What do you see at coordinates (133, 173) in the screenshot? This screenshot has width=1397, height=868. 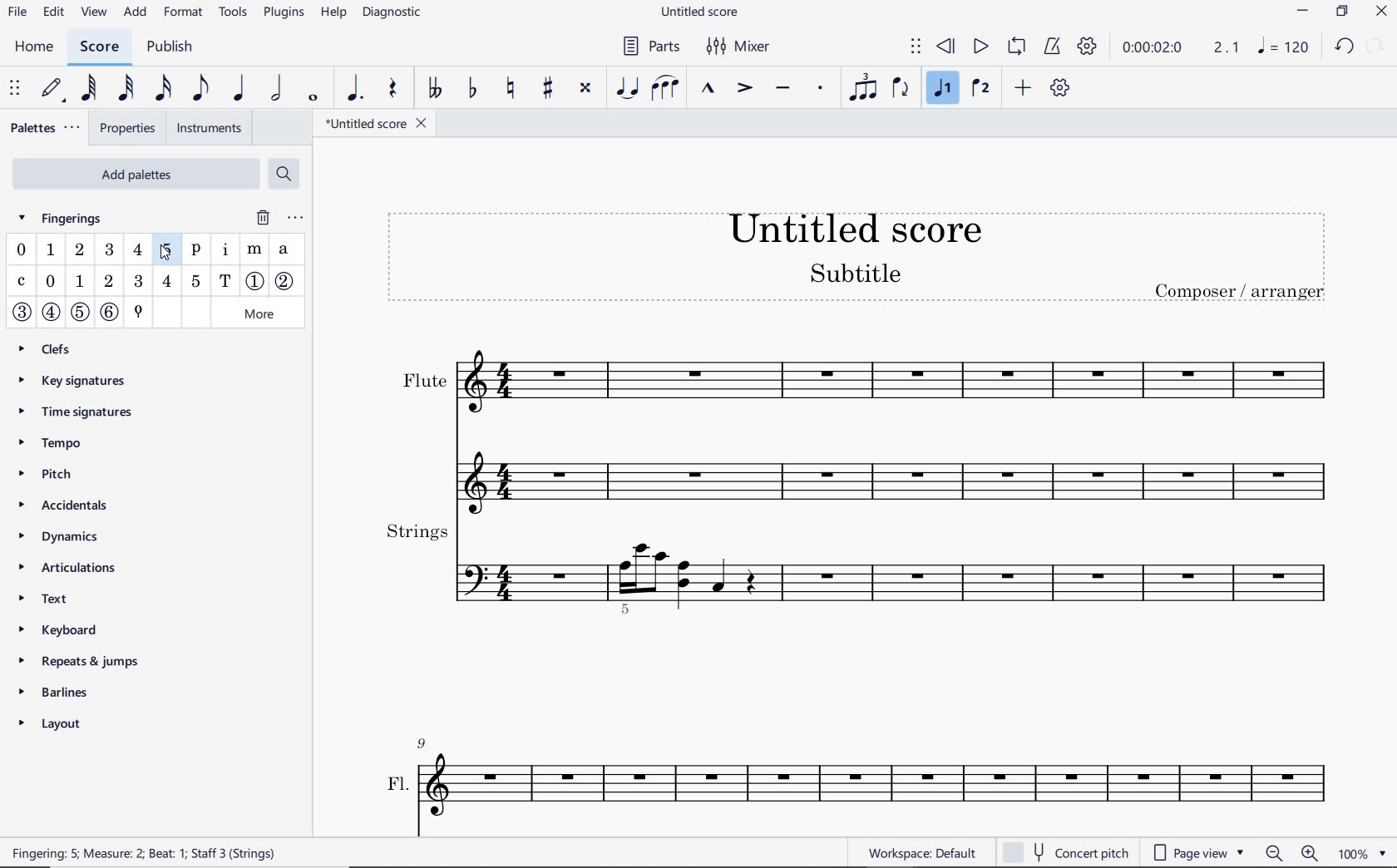 I see `add palettes` at bounding box center [133, 173].